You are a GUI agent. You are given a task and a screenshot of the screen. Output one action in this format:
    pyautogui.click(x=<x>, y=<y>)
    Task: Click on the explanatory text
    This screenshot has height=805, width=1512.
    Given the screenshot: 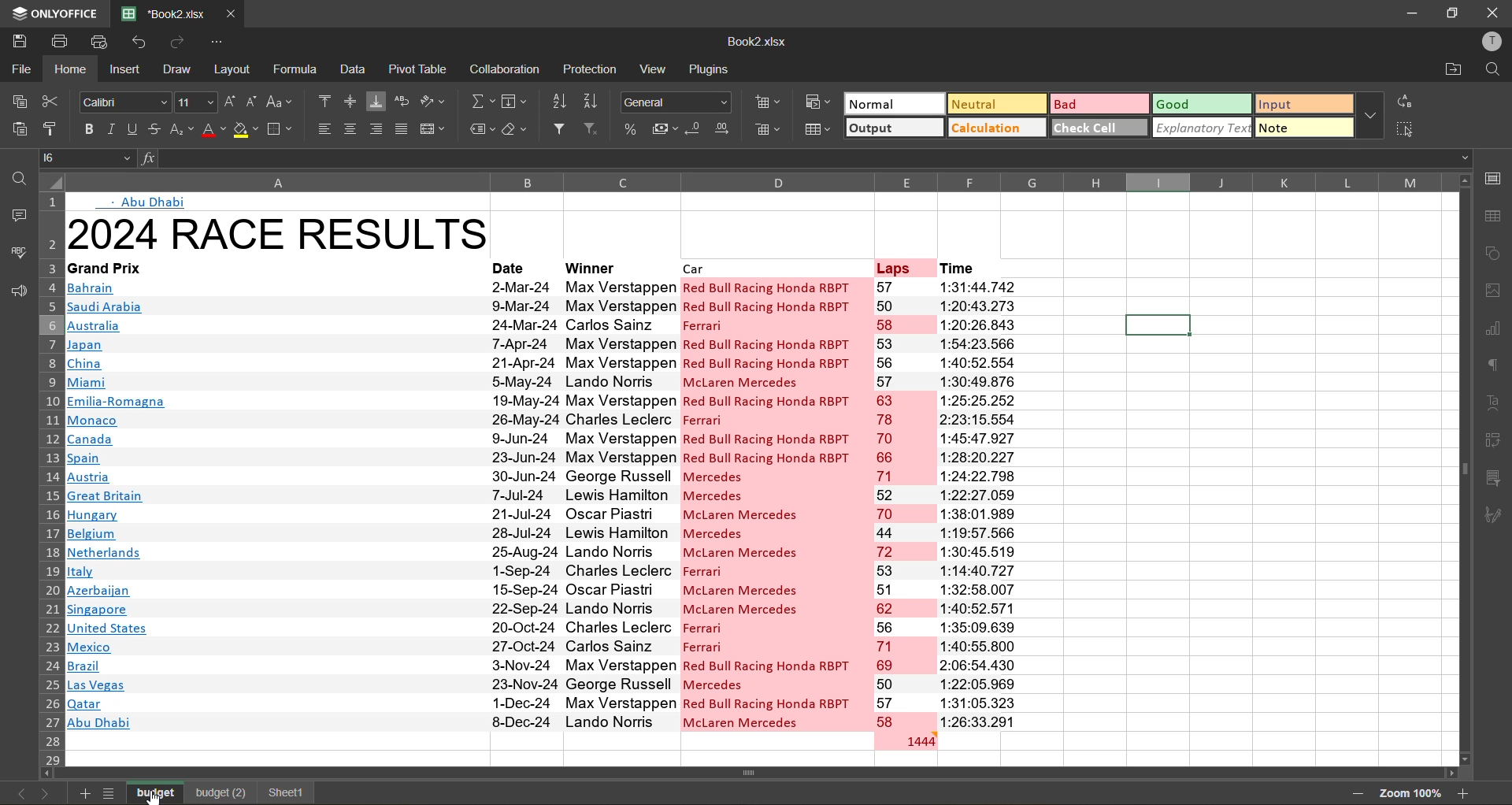 What is the action you would take?
    pyautogui.click(x=1203, y=127)
    